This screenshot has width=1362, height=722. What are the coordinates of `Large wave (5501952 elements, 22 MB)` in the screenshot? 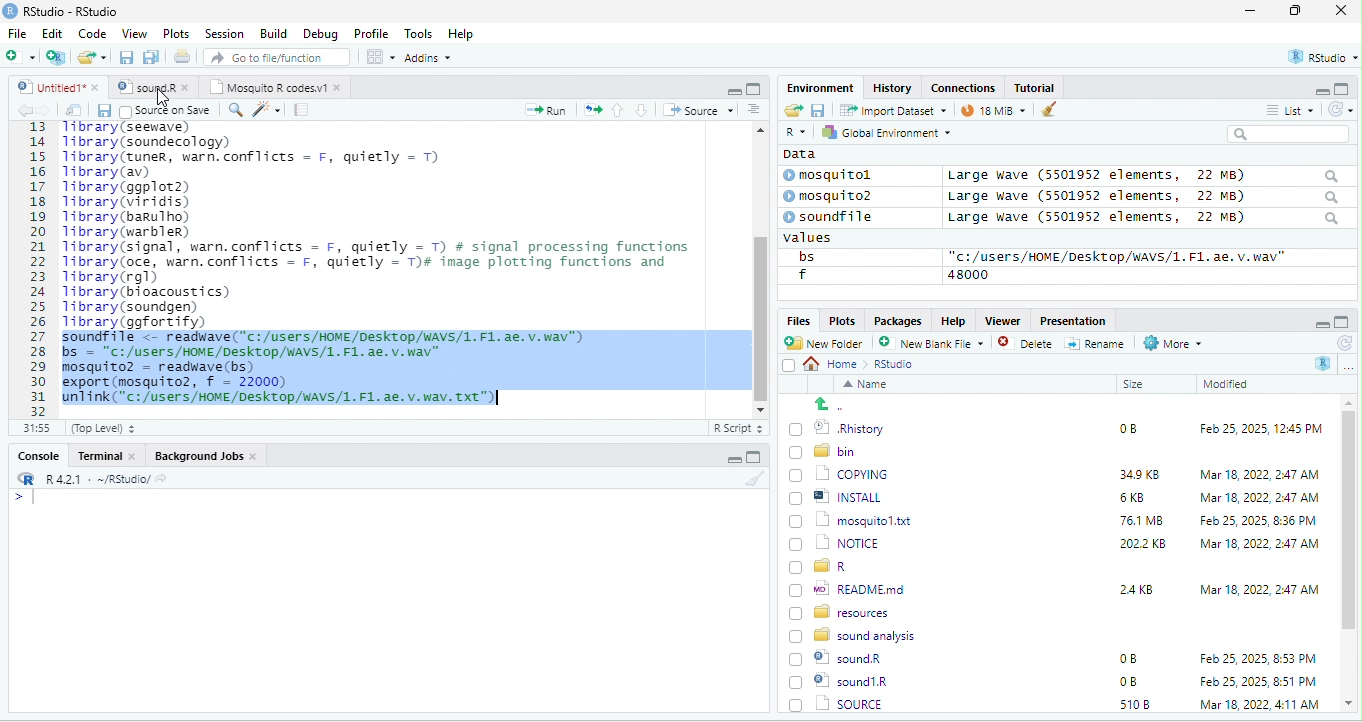 It's located at (1142, 175).